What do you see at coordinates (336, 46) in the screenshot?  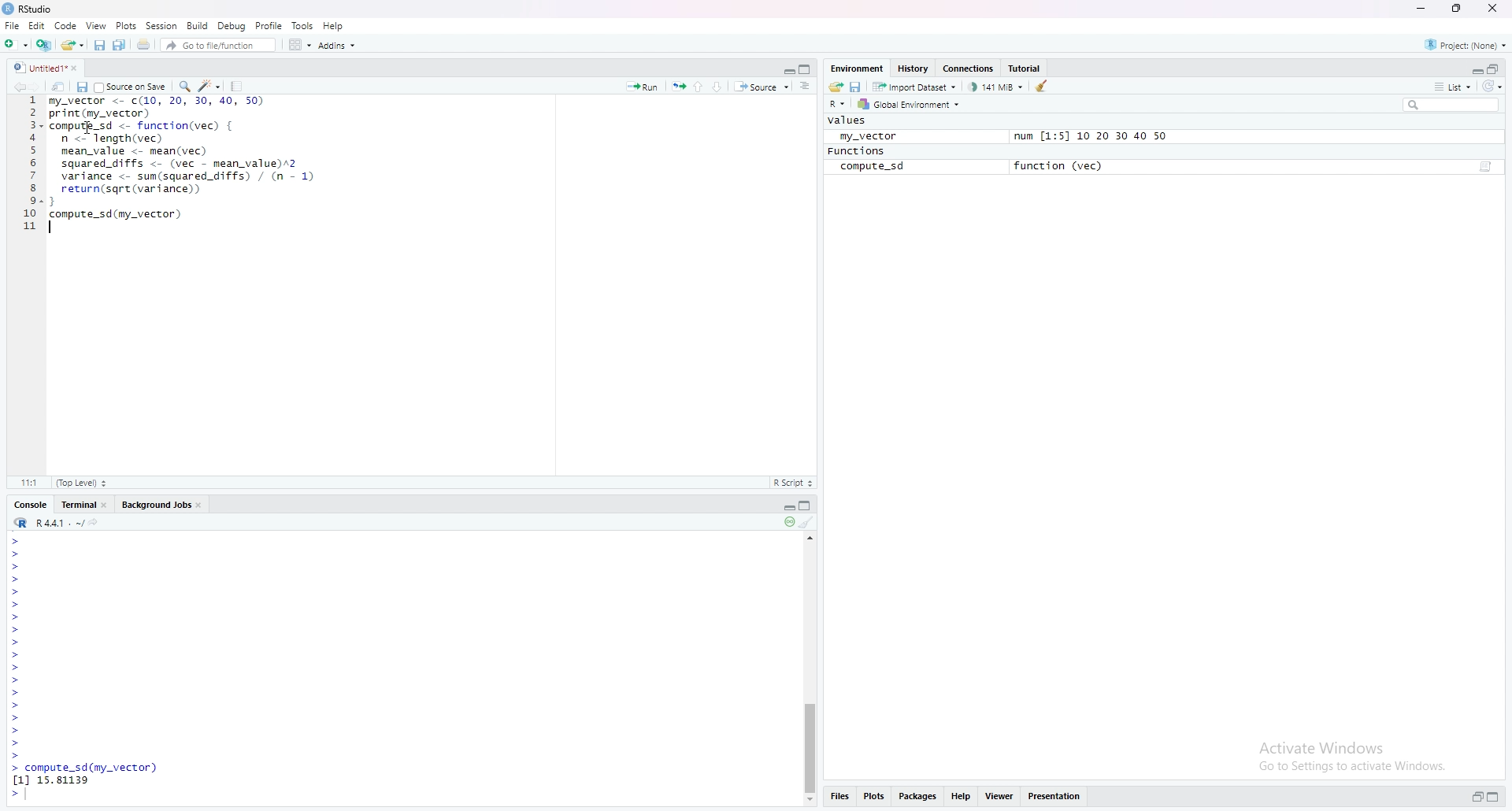 I see `ADDins` at bounding box center [336, 46].